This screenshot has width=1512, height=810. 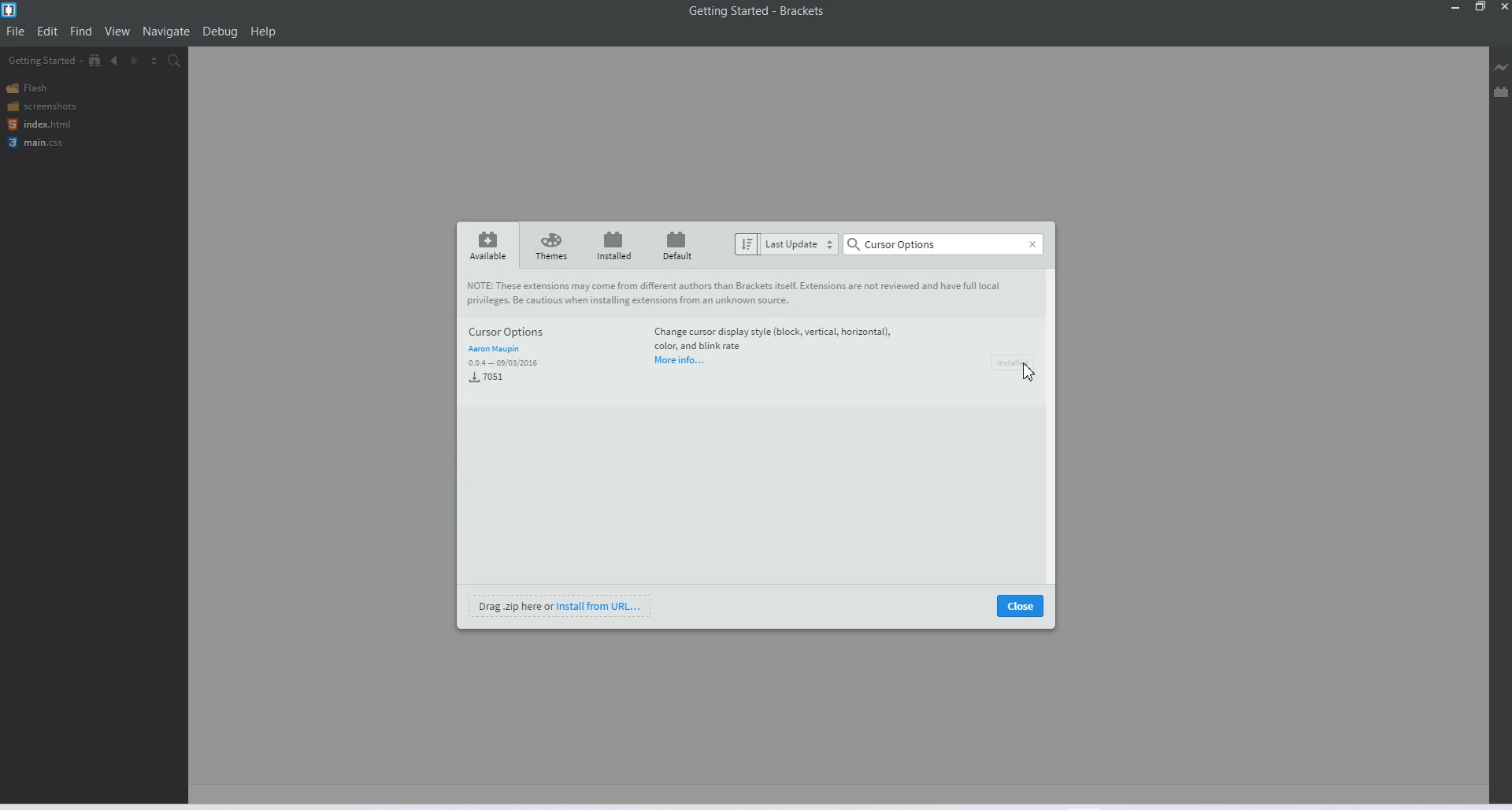 I want to click on drag .zip here or install from URL, so click(x=560, y=607).